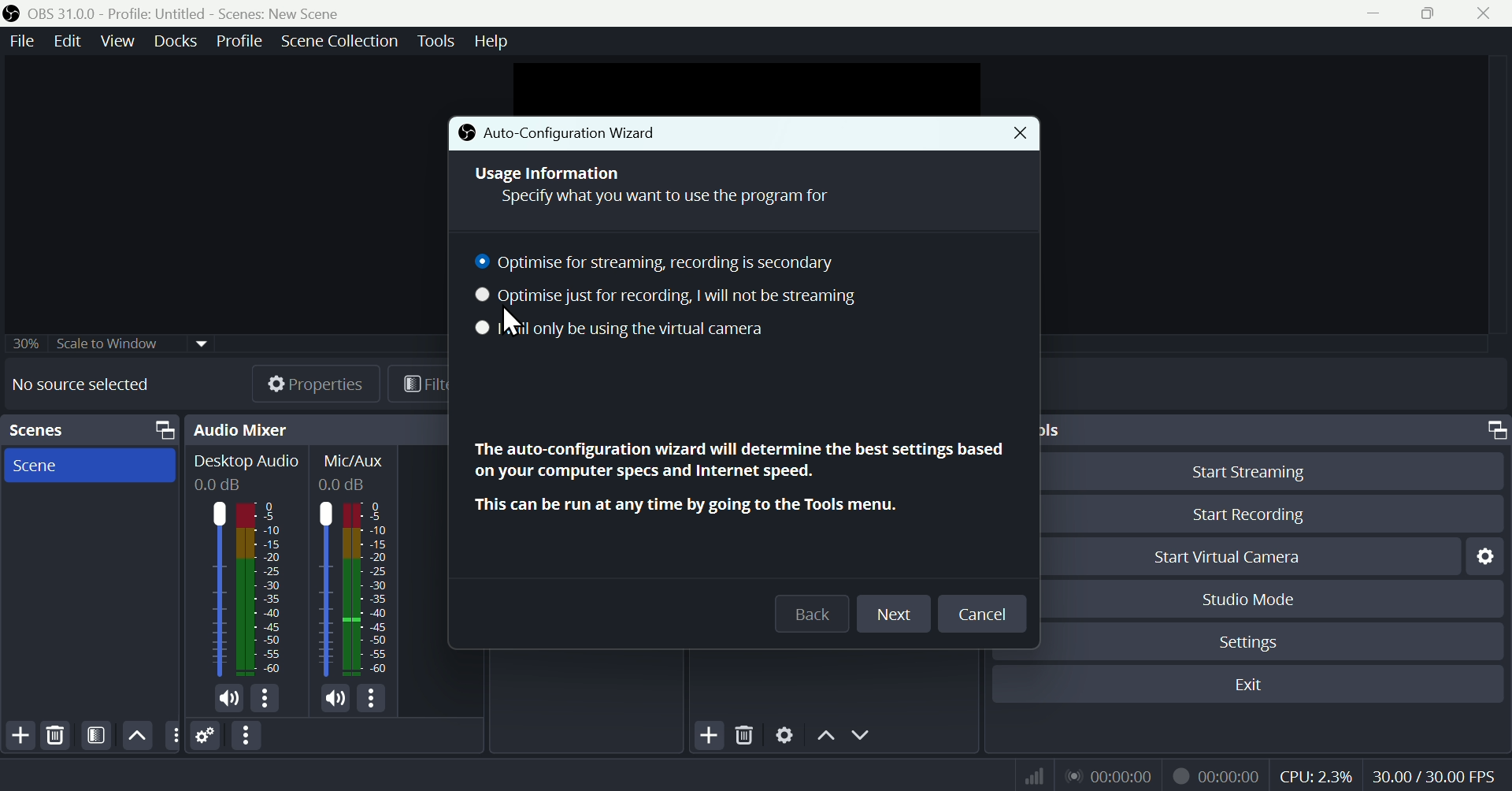  I want to click on Audio recorder, so click(1108, 775).